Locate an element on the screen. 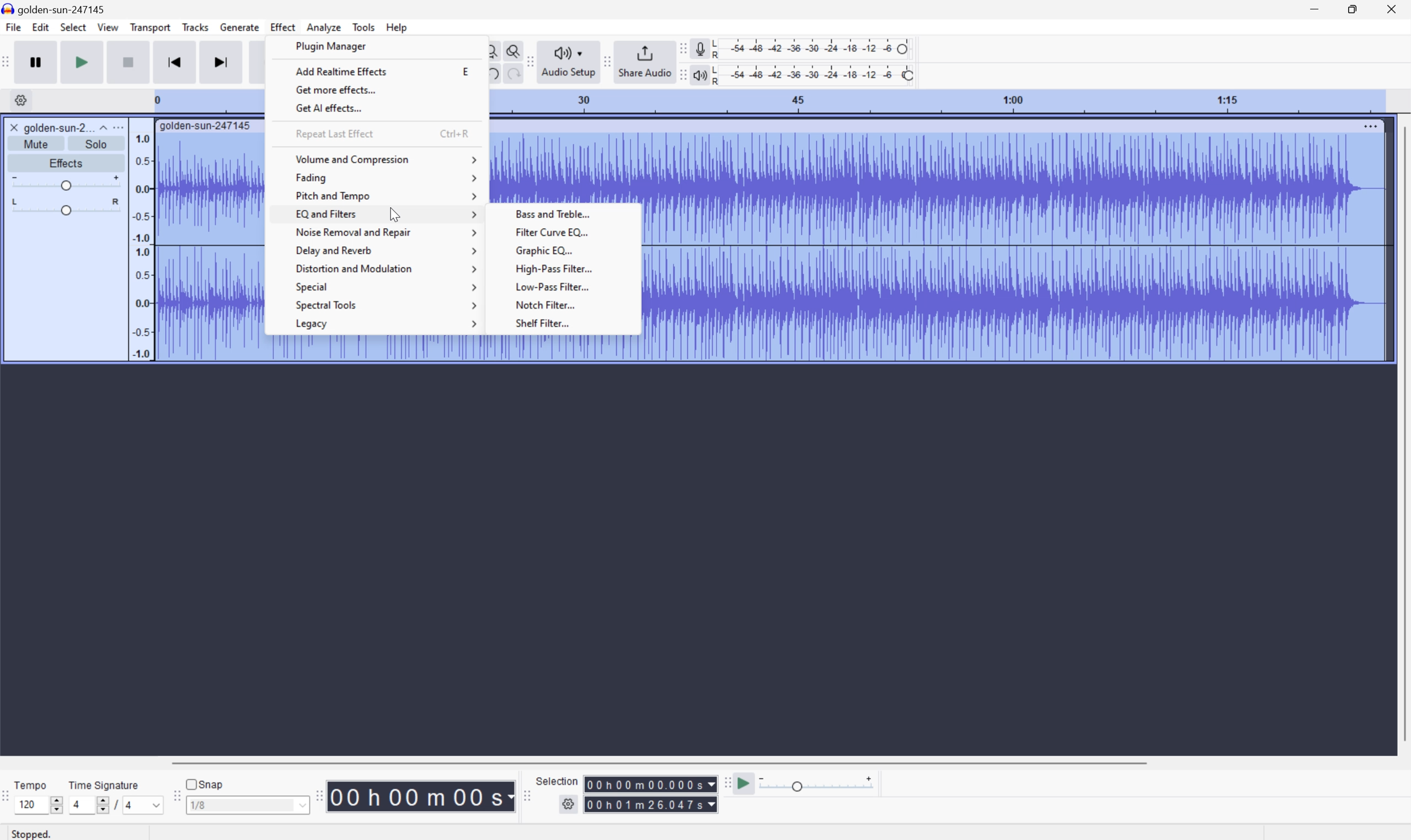 Image resolution: width=1411 pixels, height=840 pixels. EQ and Filters is located at coordinates (384, 214).